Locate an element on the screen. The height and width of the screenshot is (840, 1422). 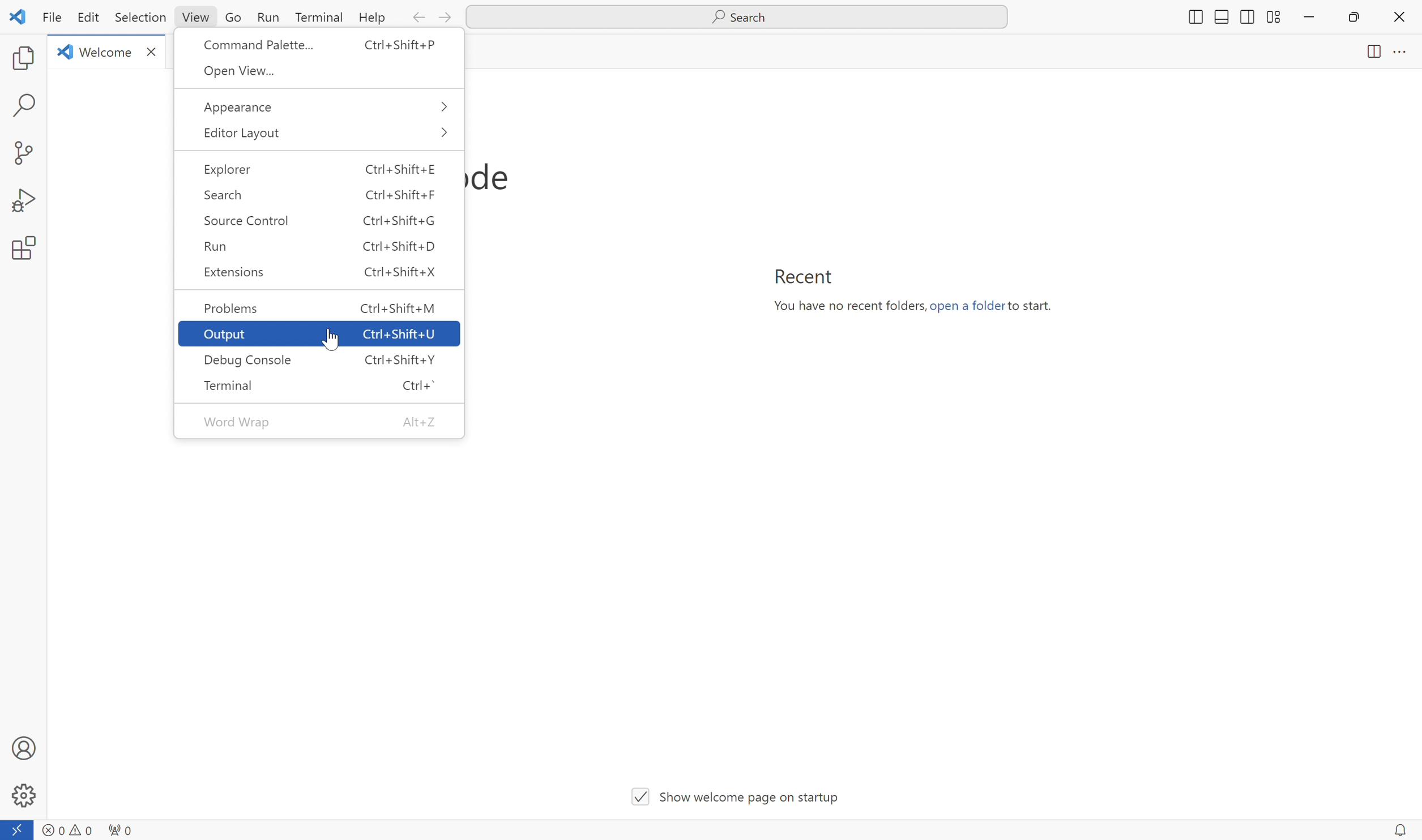
recent is located at coordinates (806, 277).